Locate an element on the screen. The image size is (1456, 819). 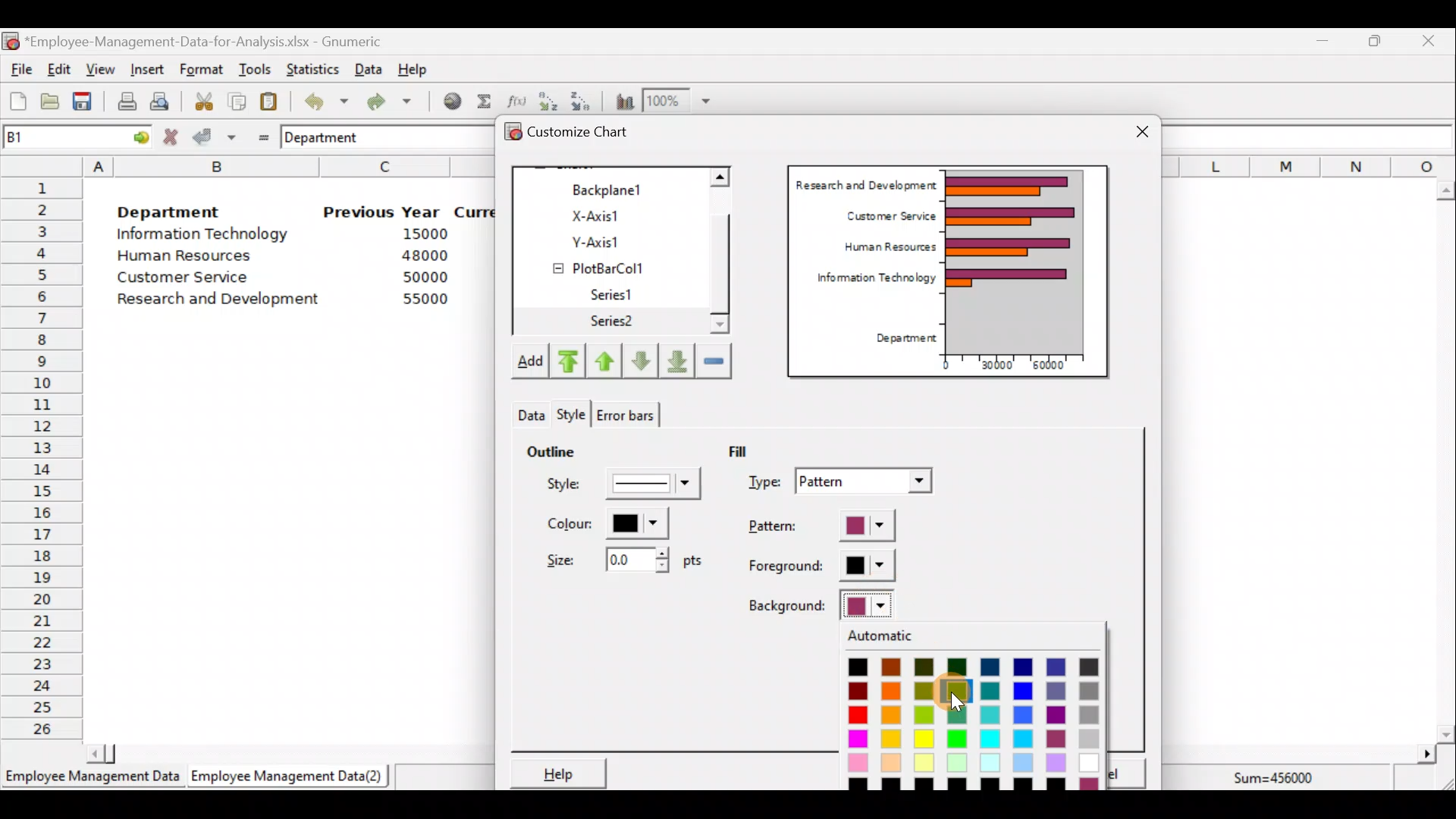
Theme is located at coordinates (576, 415).